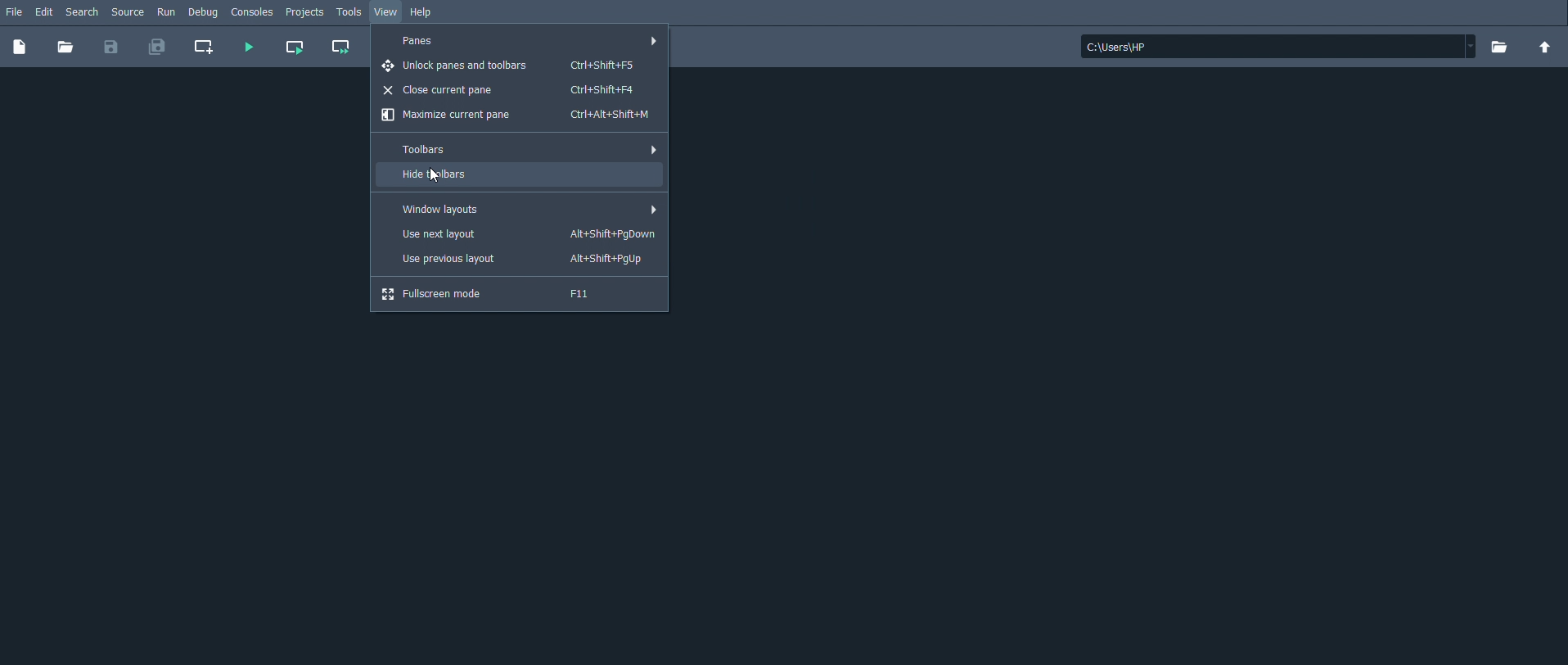  Describe the element at coordinates (1277, 47) in the screenshot. I see `File location` at that location.